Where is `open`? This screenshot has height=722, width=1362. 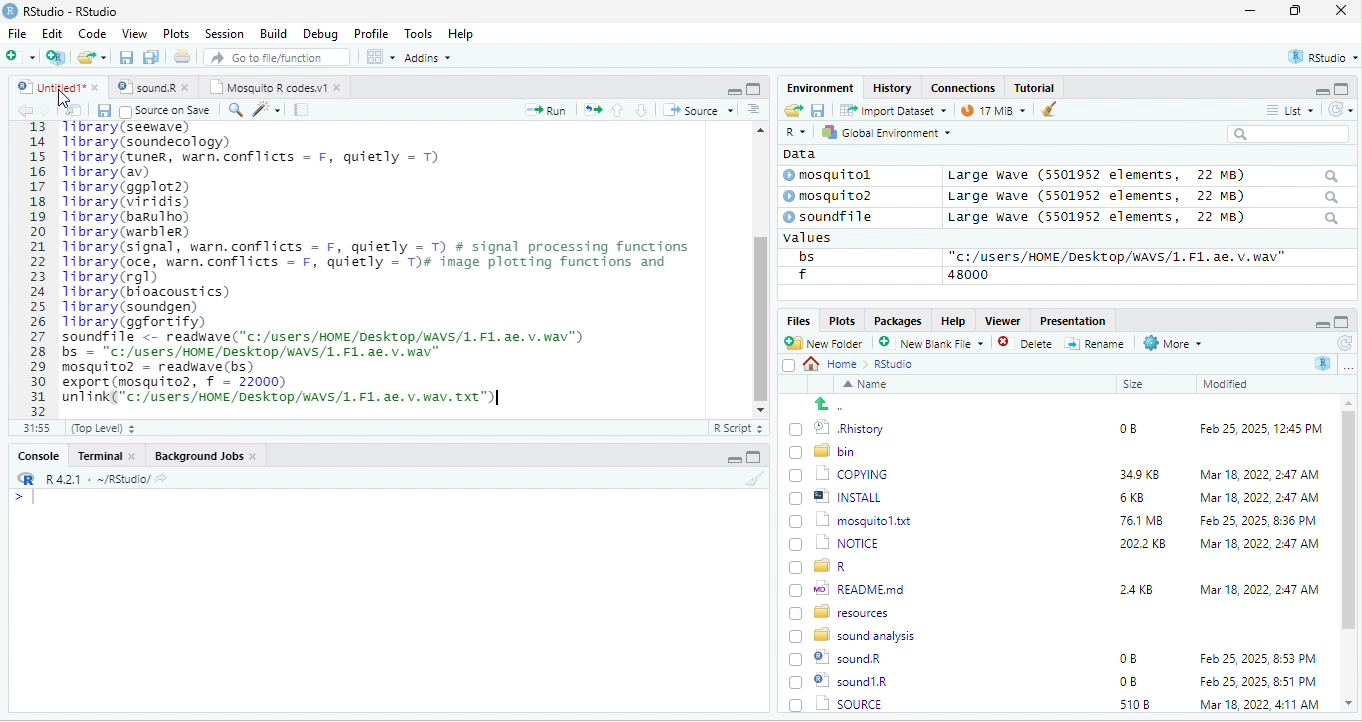
open is located at coordinates (593, 108).